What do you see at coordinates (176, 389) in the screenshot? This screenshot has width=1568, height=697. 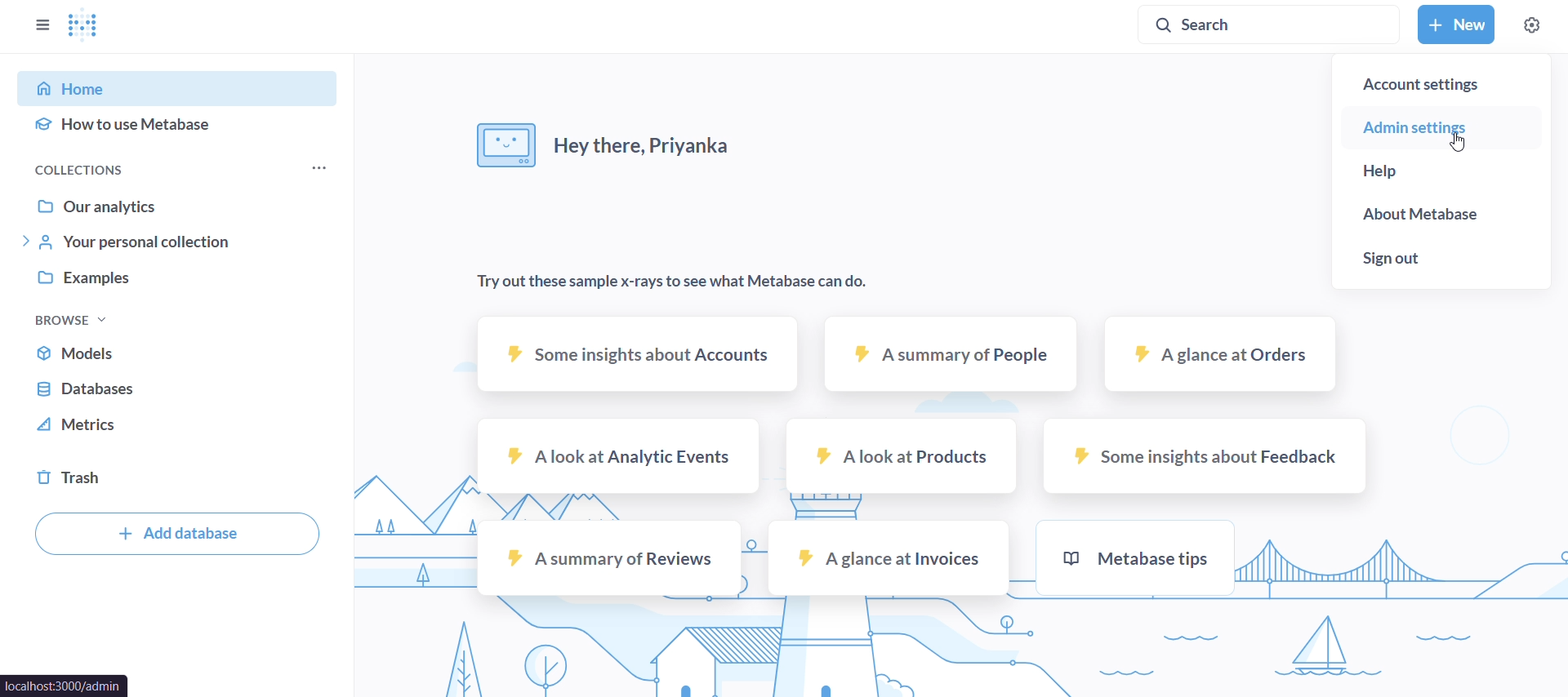 I see `databse` at bounding box center [176, 389].